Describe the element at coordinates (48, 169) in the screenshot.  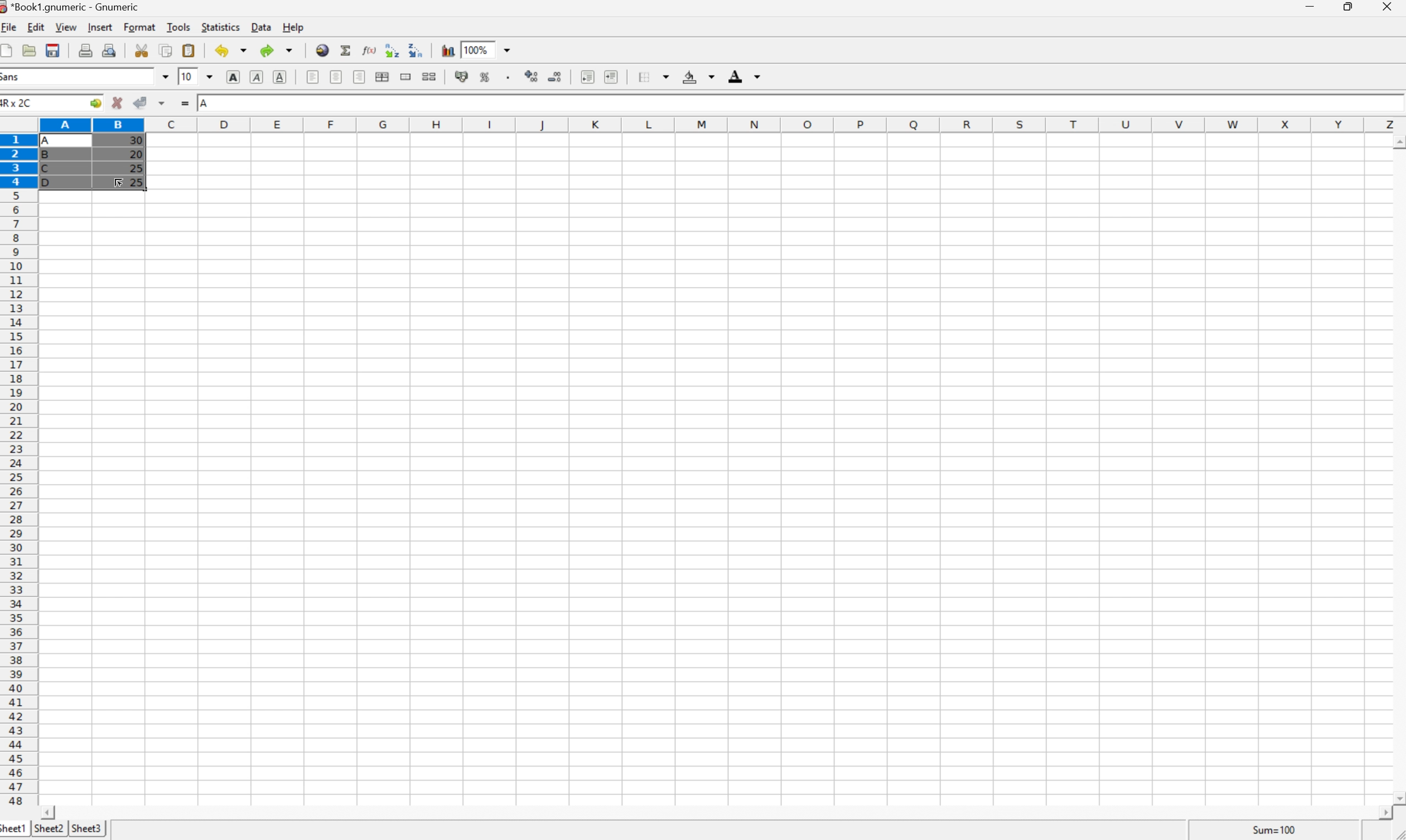
I see `C` at that location.